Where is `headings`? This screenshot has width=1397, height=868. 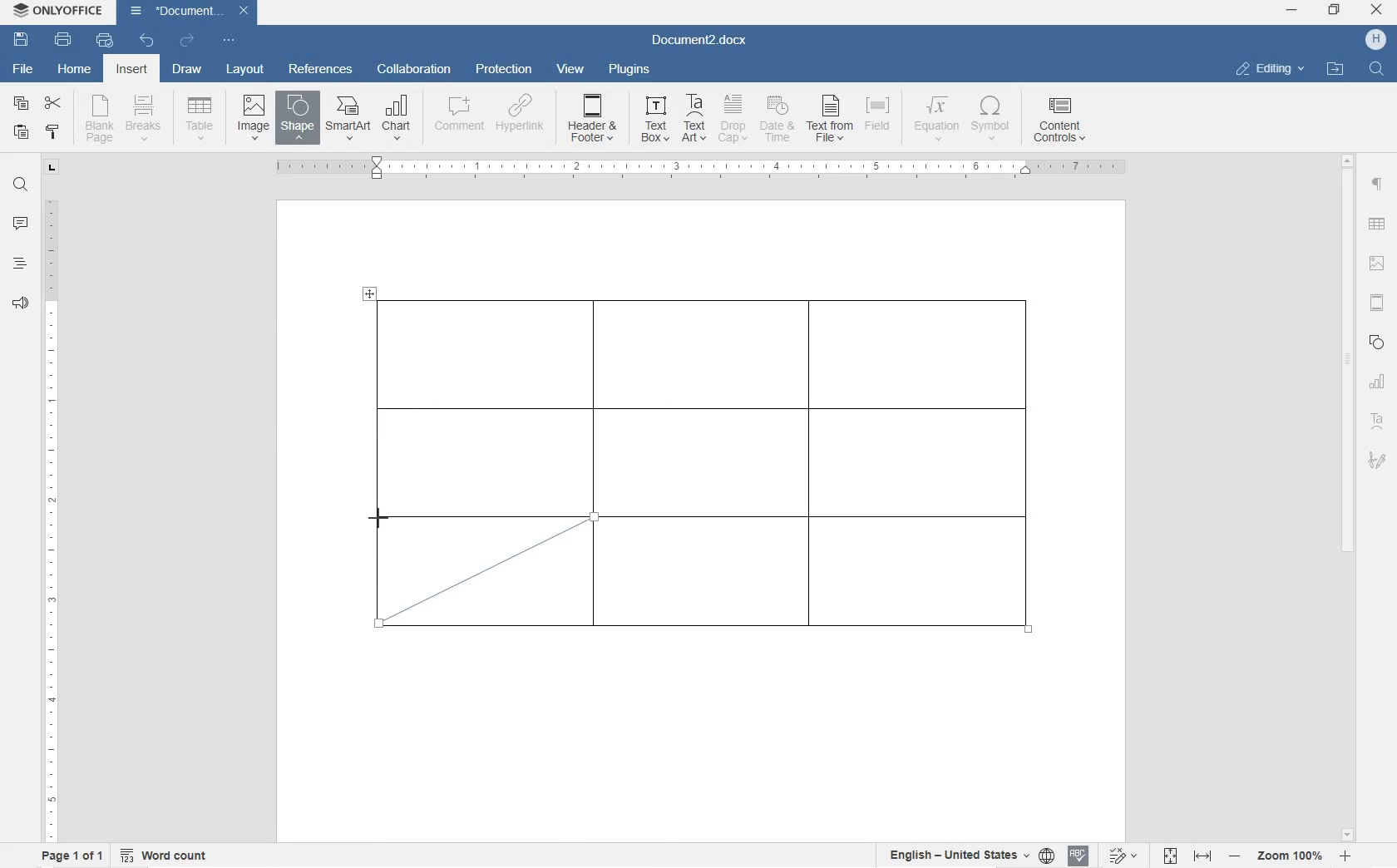
headings is located at coordinates (20, 264).